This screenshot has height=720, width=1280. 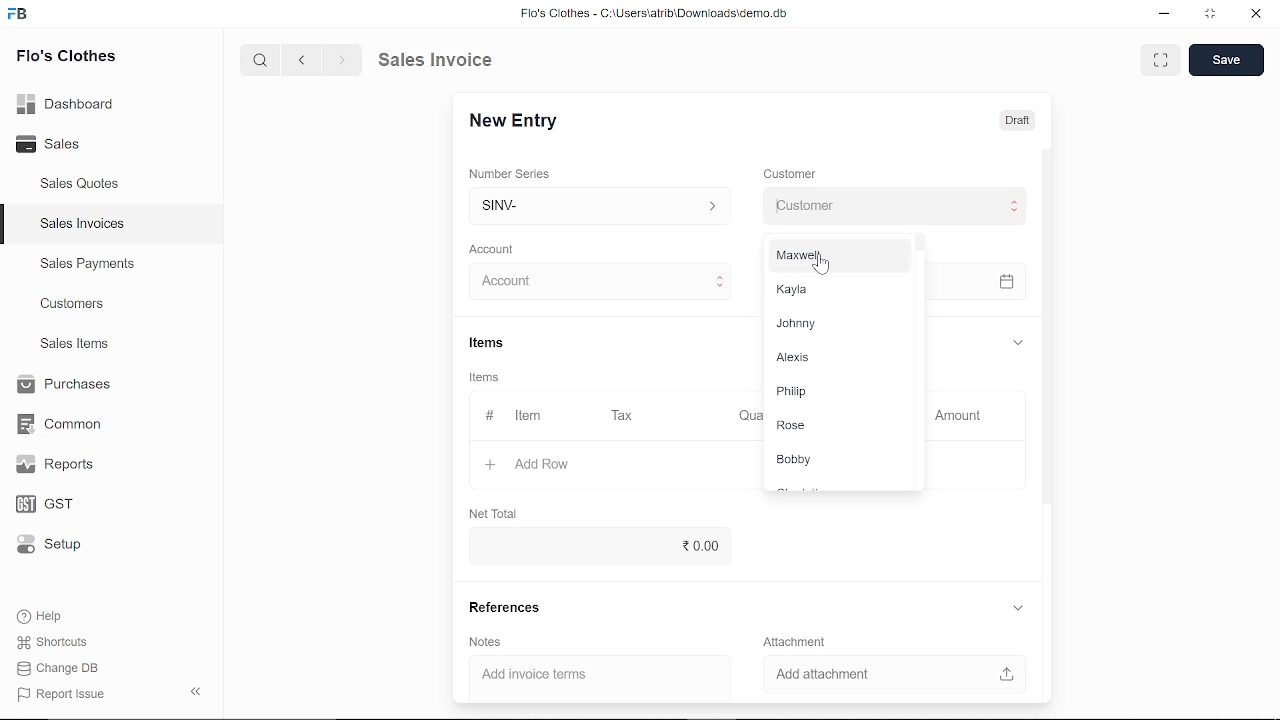 I want to click on previous, so click(x=303, y=60).